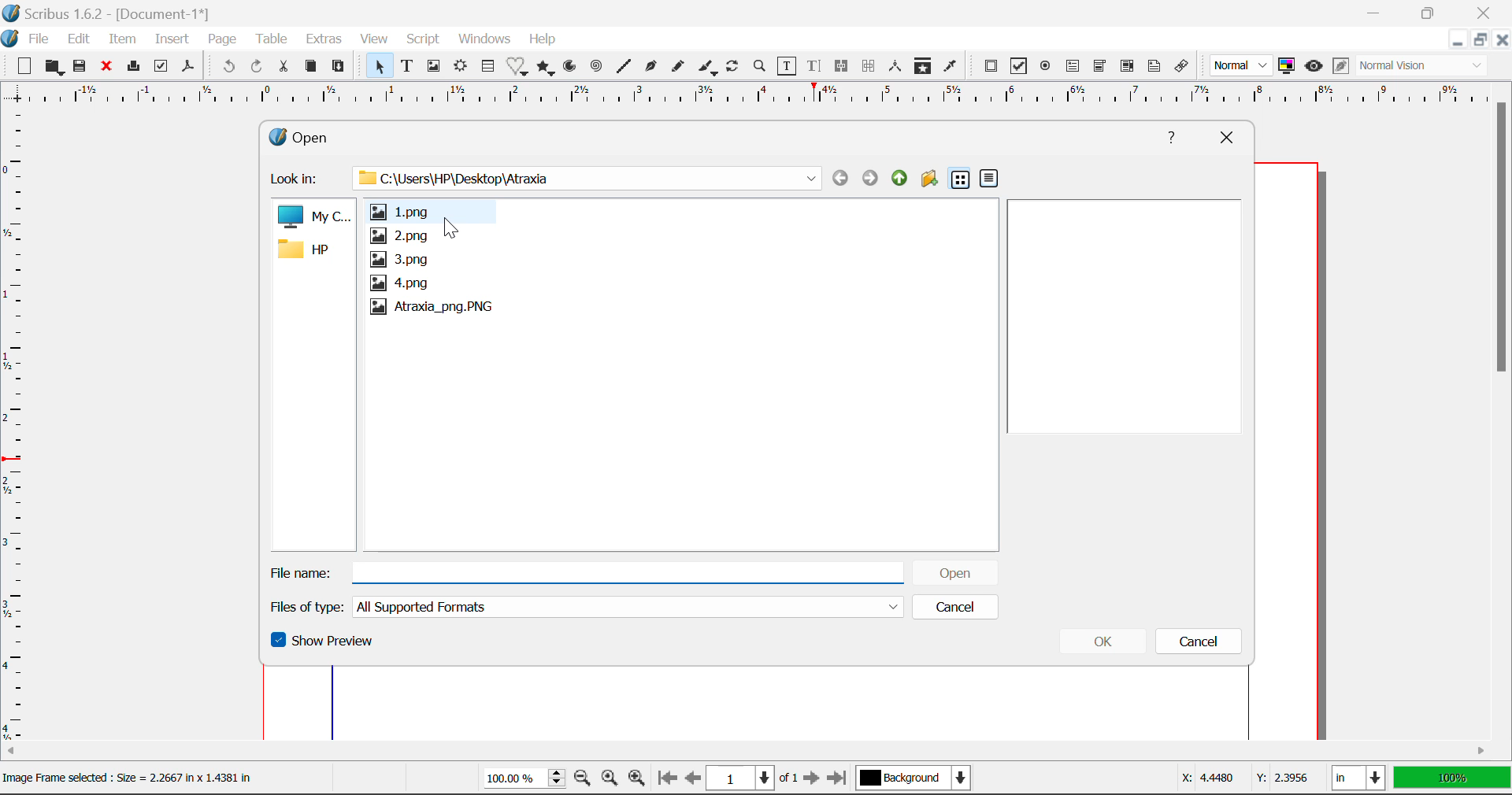 This screenshot has height=795, width=1512. Describe the element at coordinates (298, 180) in the screenshot. I see `Look in:` at that location.